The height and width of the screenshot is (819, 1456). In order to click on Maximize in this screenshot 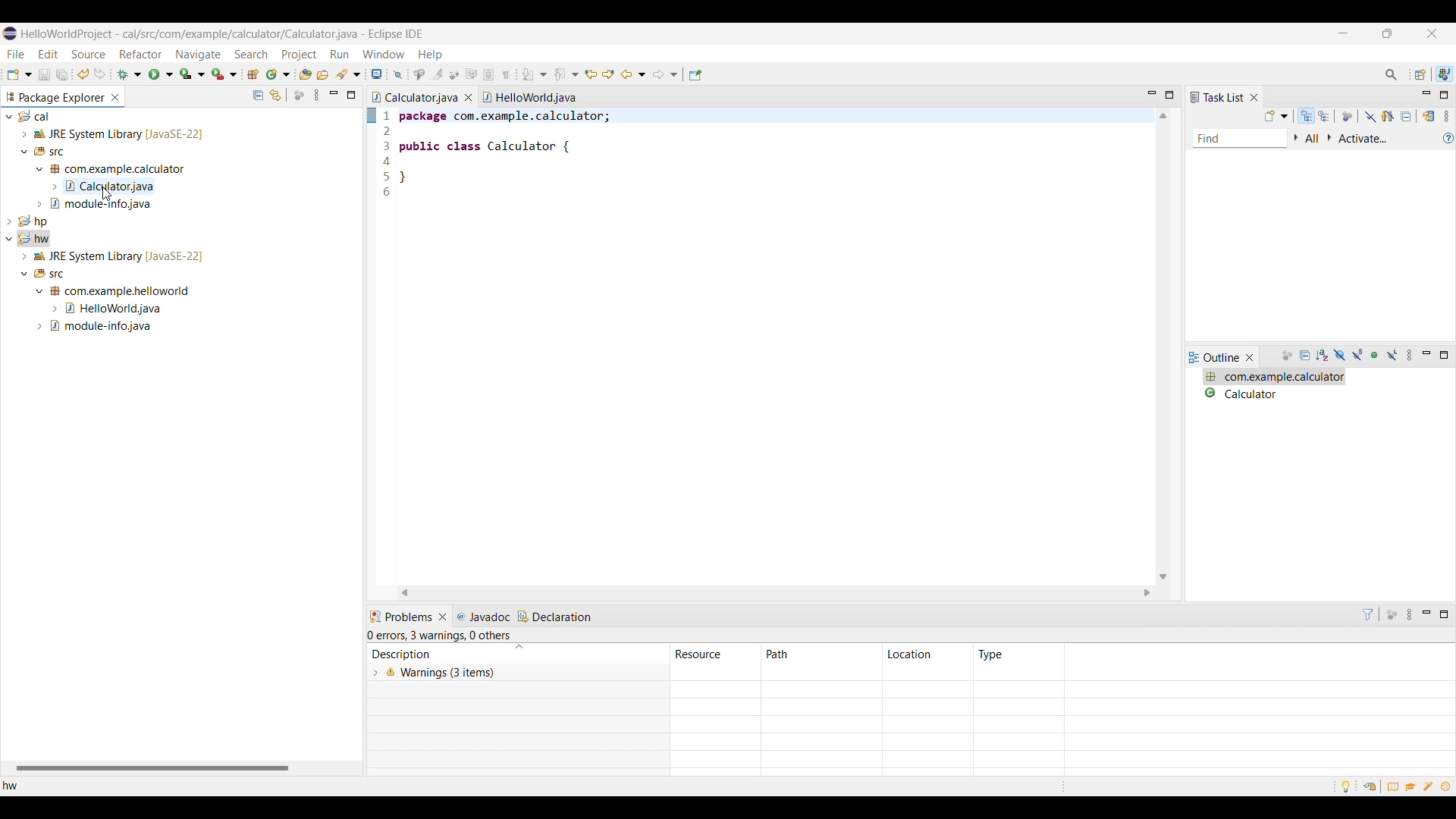, I will do `click(1444, 355)`.